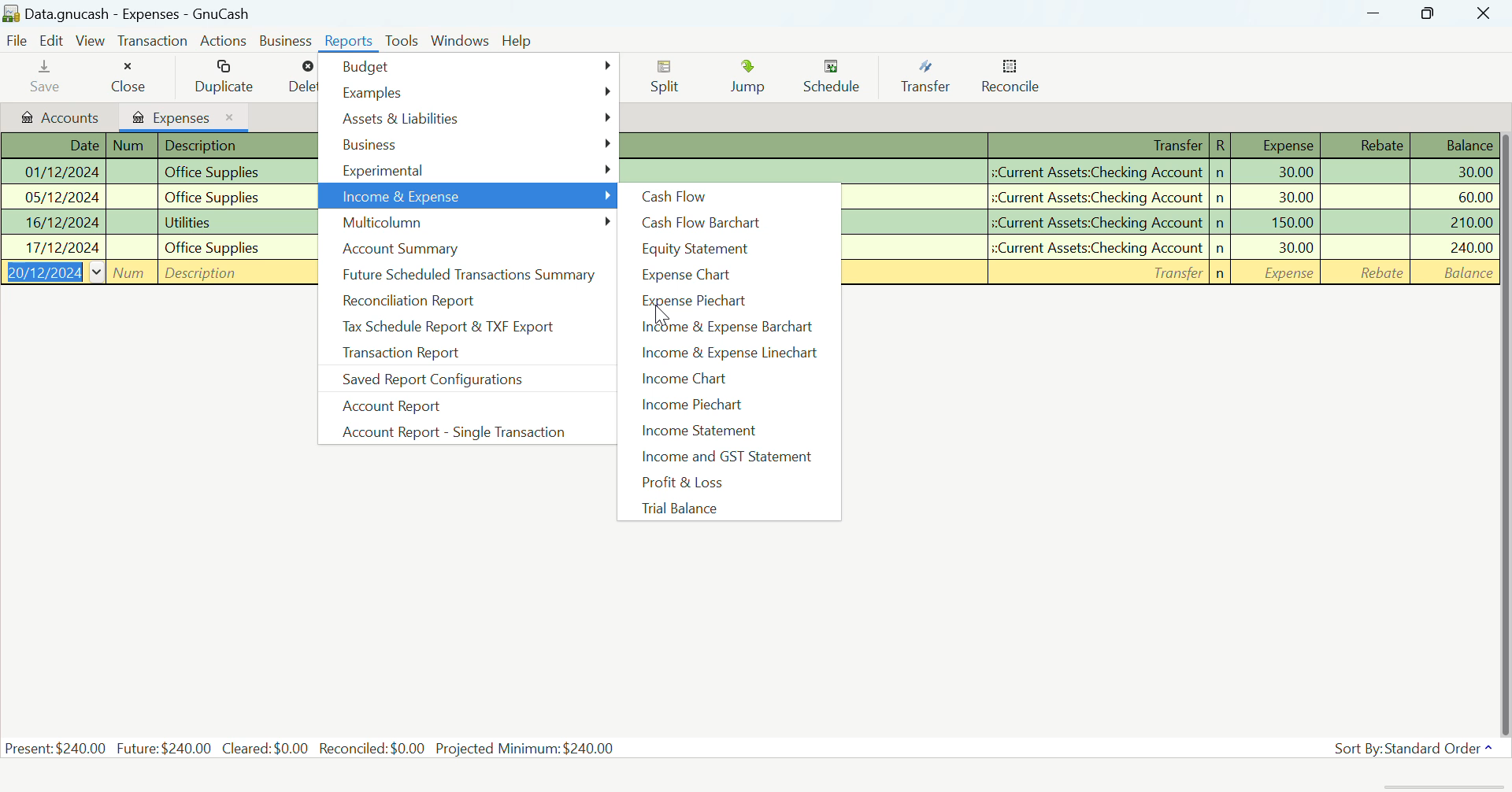 The height and width of the screenshot is (792, 1512). Describe the element at coordinates (468, 172) in the screenshot. I see `Experimental` at that location.